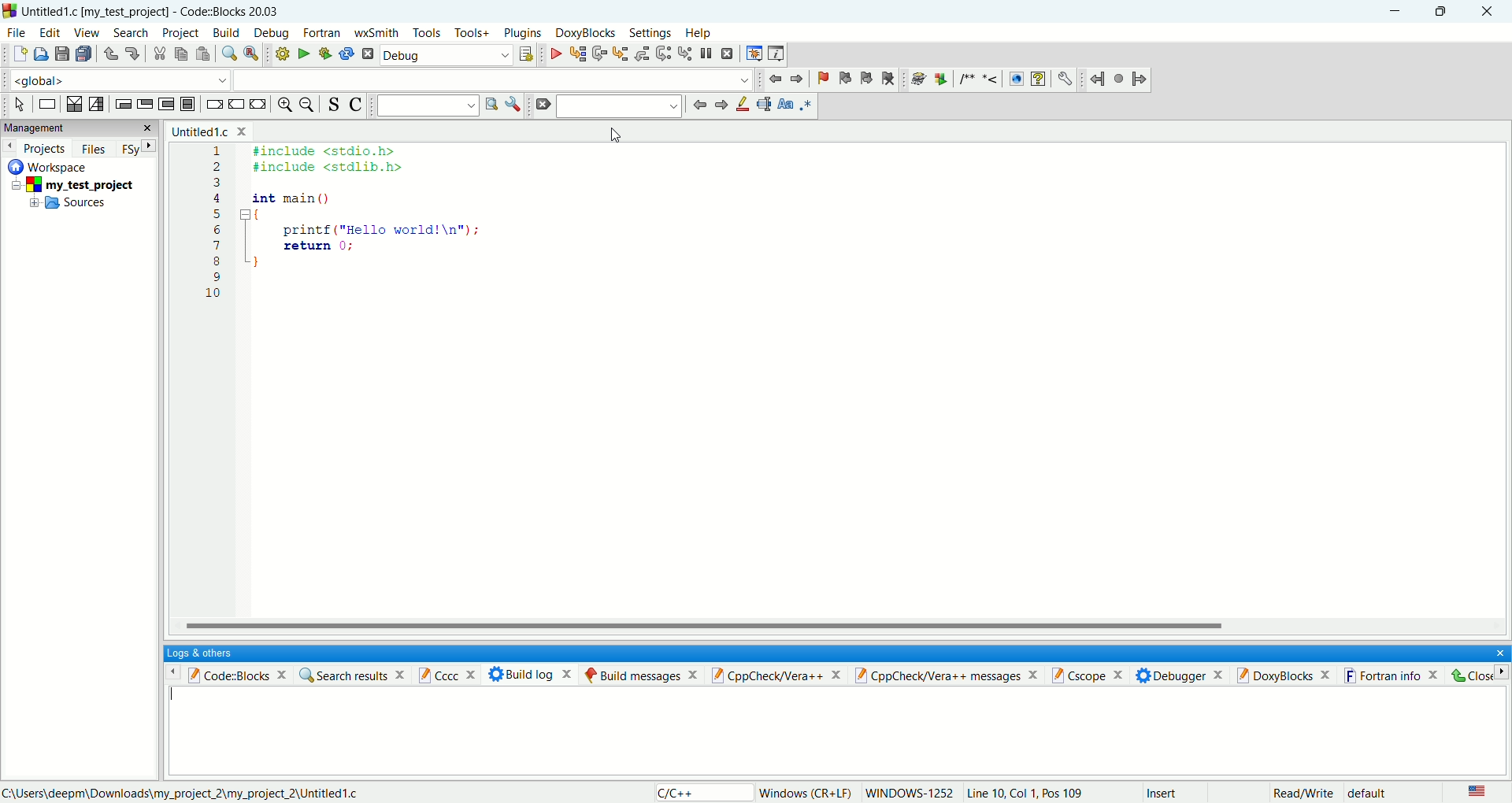 Image resolution: width=1512 pixels, height=803 pixels. What do you see at coordinates (697, 34) in the screenshot?
I see `help` at bounding box center [697, 34].